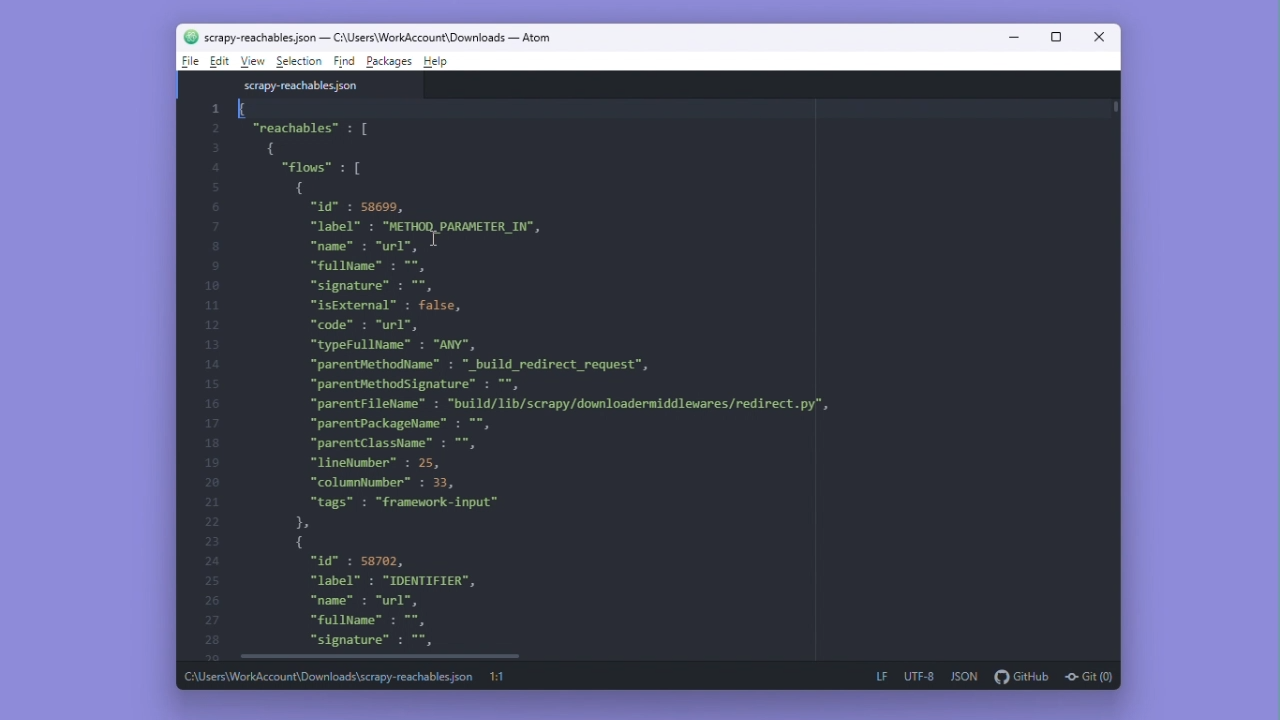  I want to click on Minimise, so click(1011, 36).